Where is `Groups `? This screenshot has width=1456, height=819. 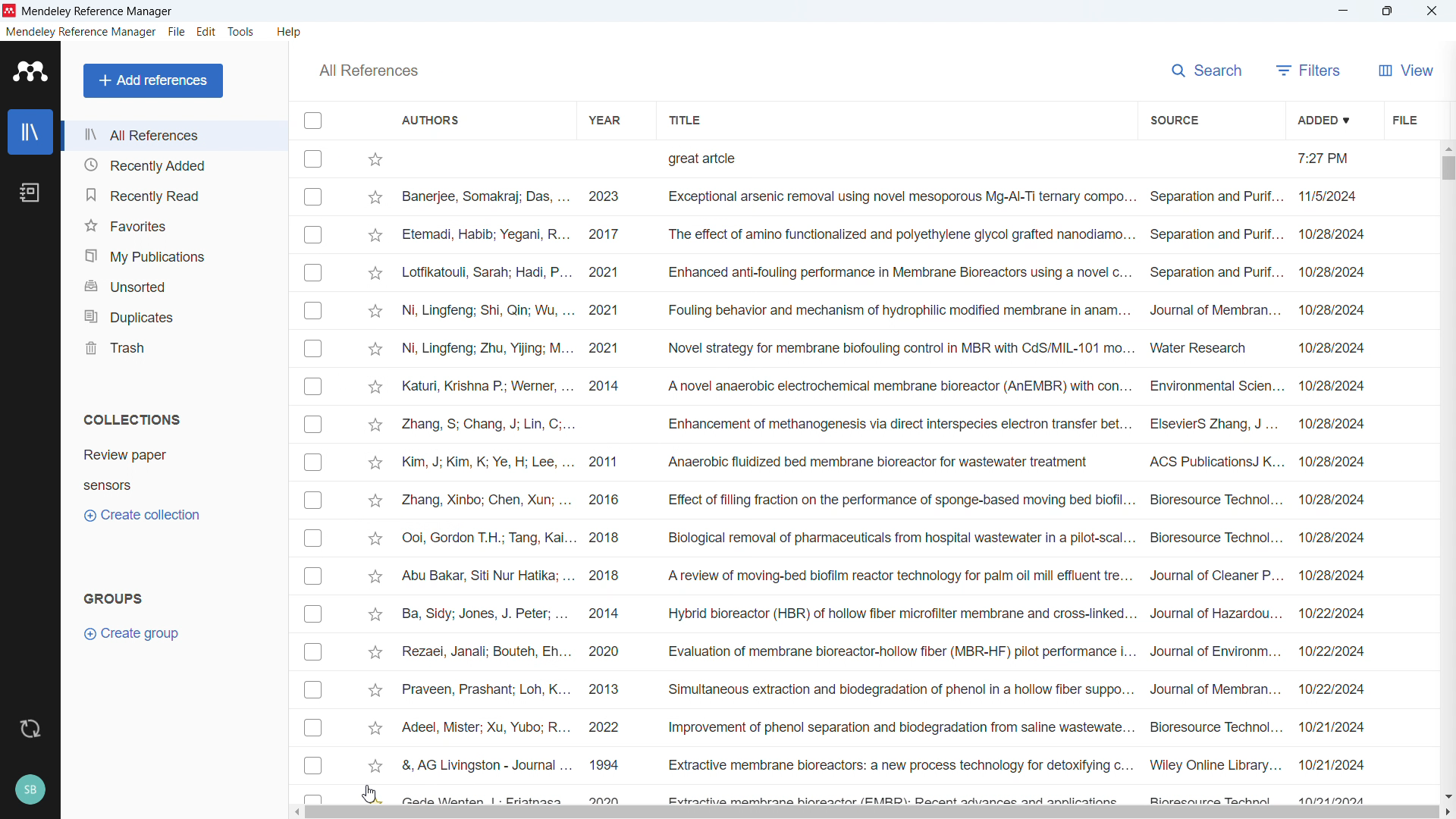
Groups  is located at coordinates (114, 598).